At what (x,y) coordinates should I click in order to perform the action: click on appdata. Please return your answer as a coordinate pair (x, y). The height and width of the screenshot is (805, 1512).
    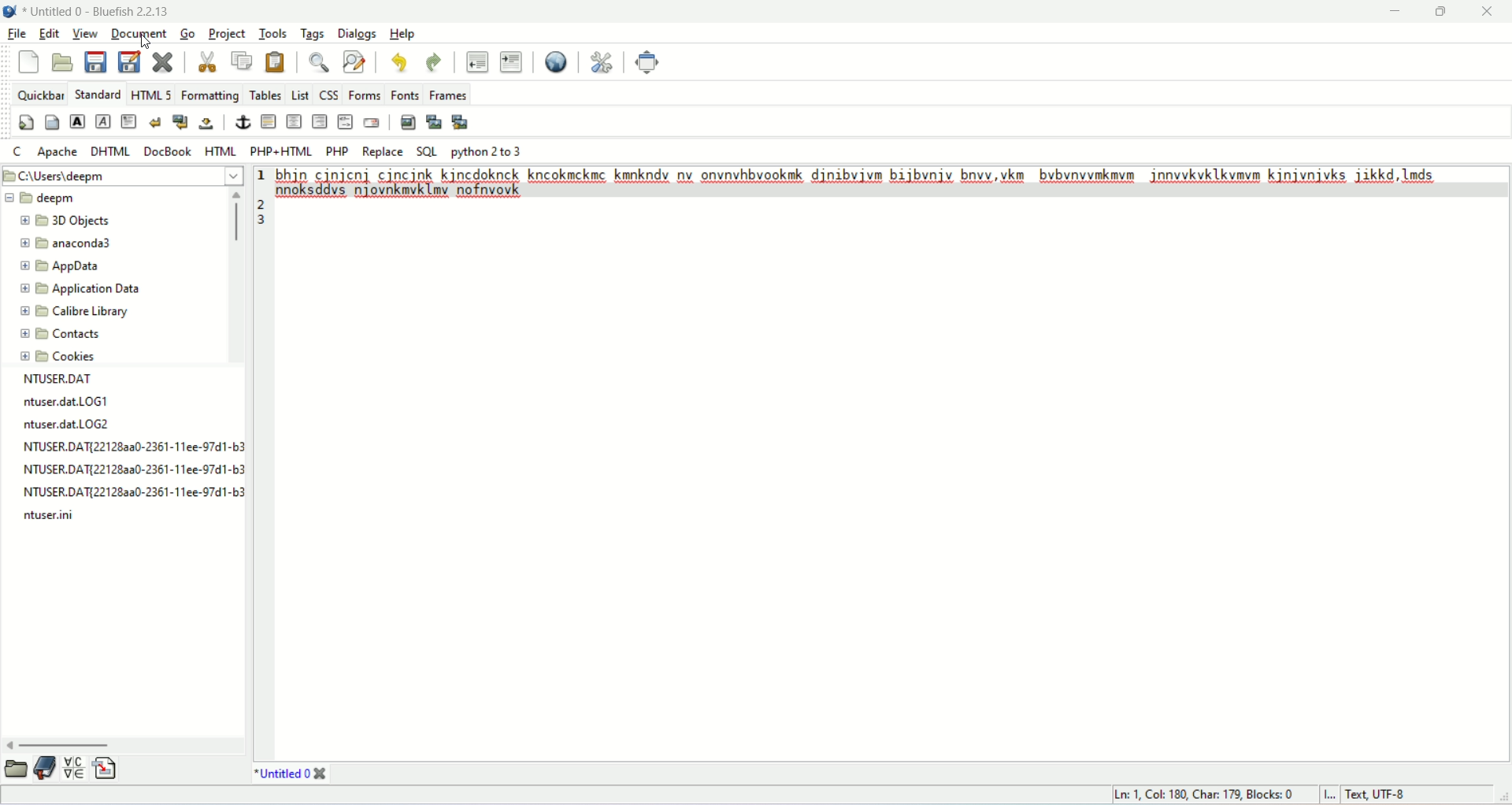
    Looking at the image, I should click on (61, 266).